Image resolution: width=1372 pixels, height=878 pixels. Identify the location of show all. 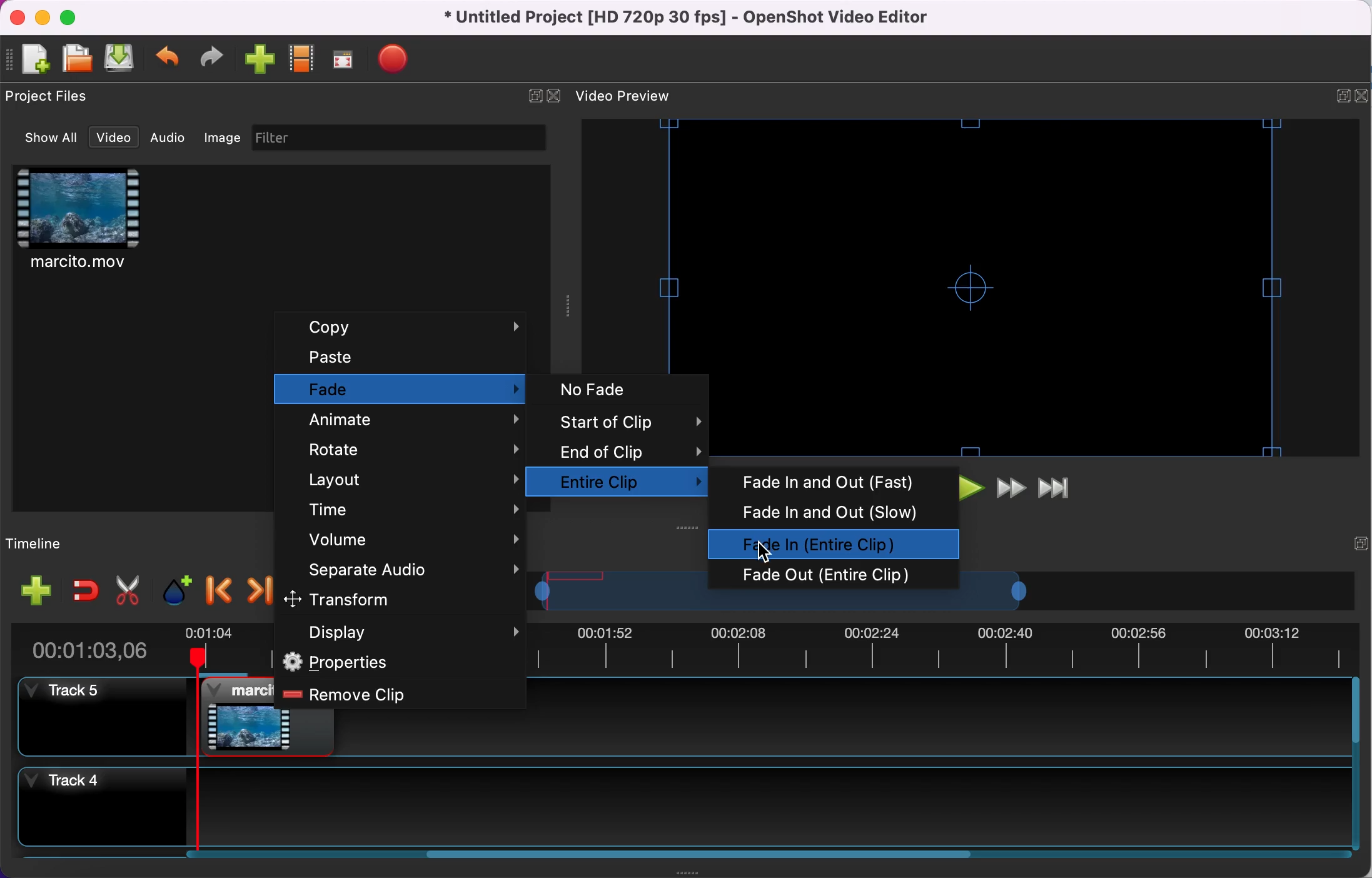
(44, 137).